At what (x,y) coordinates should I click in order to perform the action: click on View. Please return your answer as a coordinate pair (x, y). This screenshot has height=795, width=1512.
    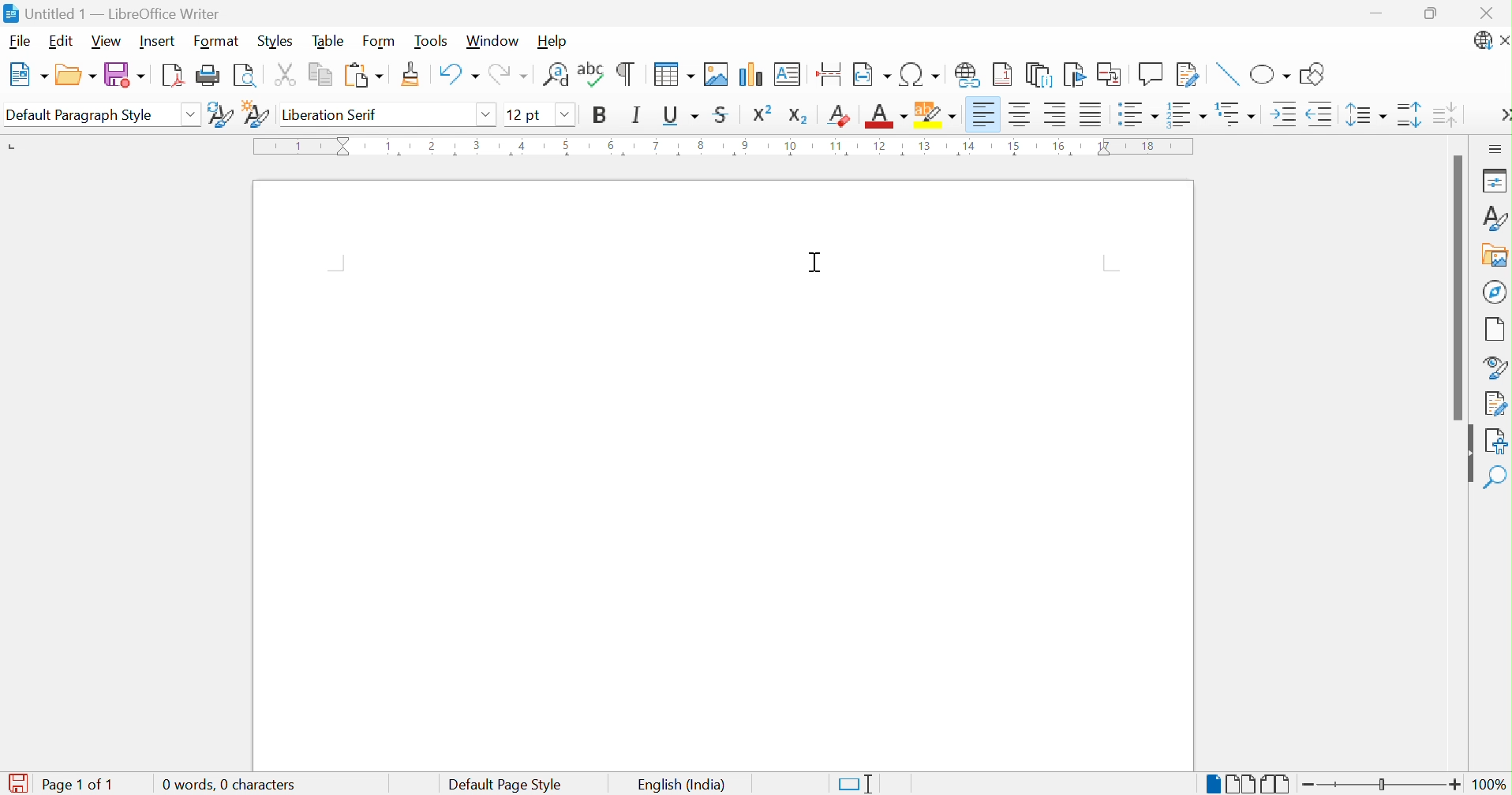
    Looking at the image, I should click on (105, 42).